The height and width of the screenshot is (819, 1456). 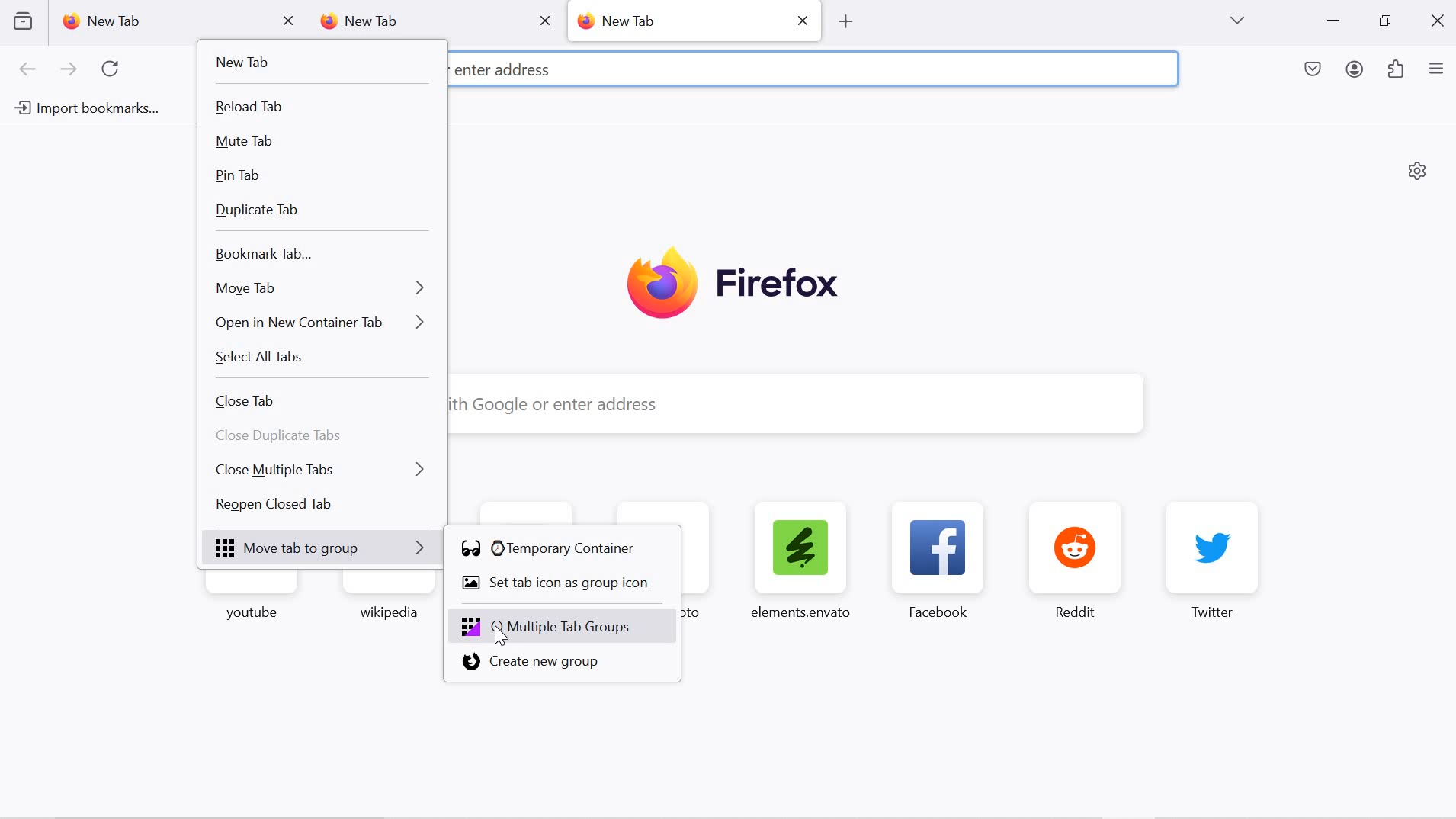 I want to click on 3 kearch with Google or enter address, so click(x=608, y=66).